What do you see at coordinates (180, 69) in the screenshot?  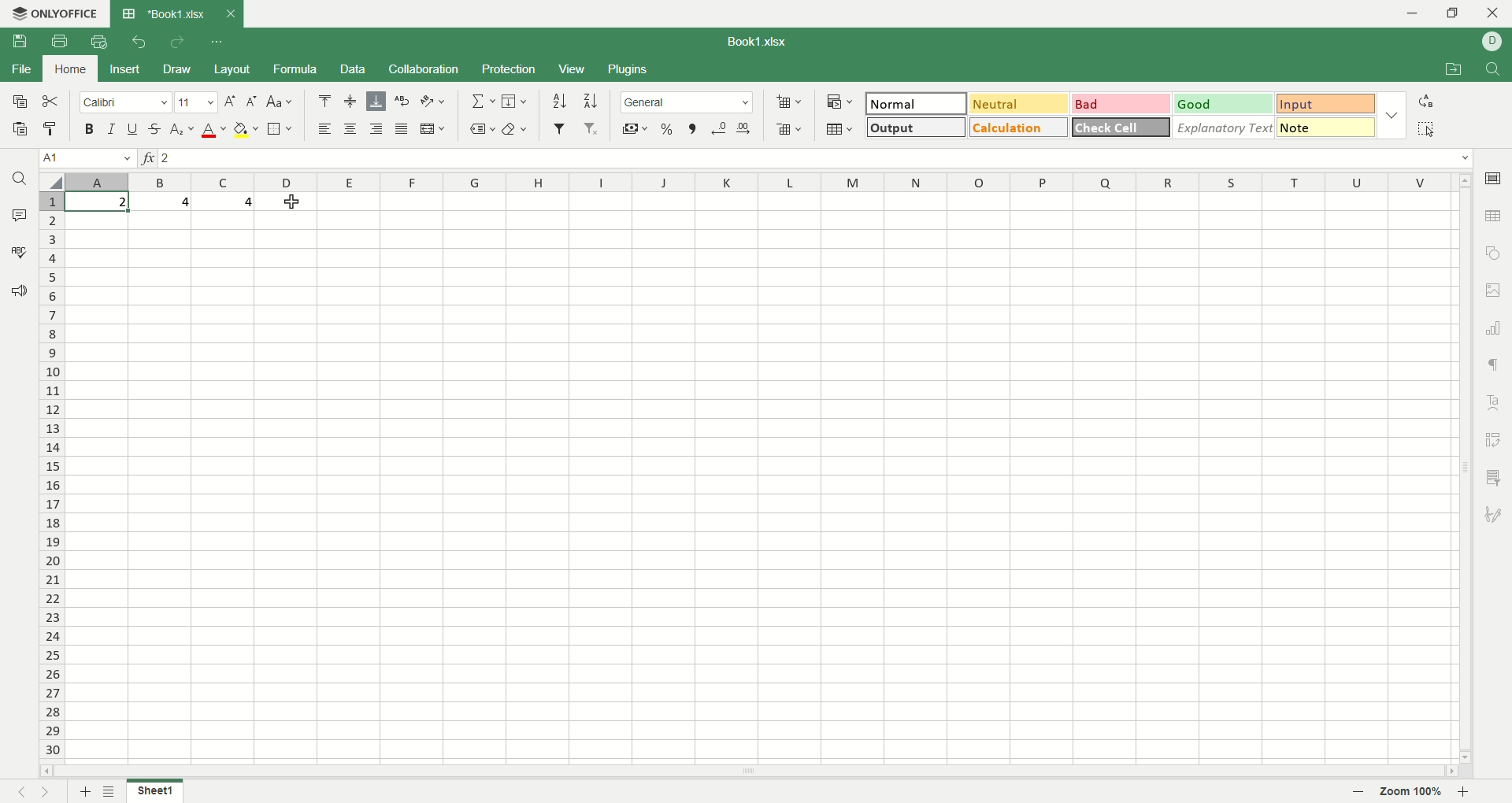 I see `draw` at bounding box center [180, 69].